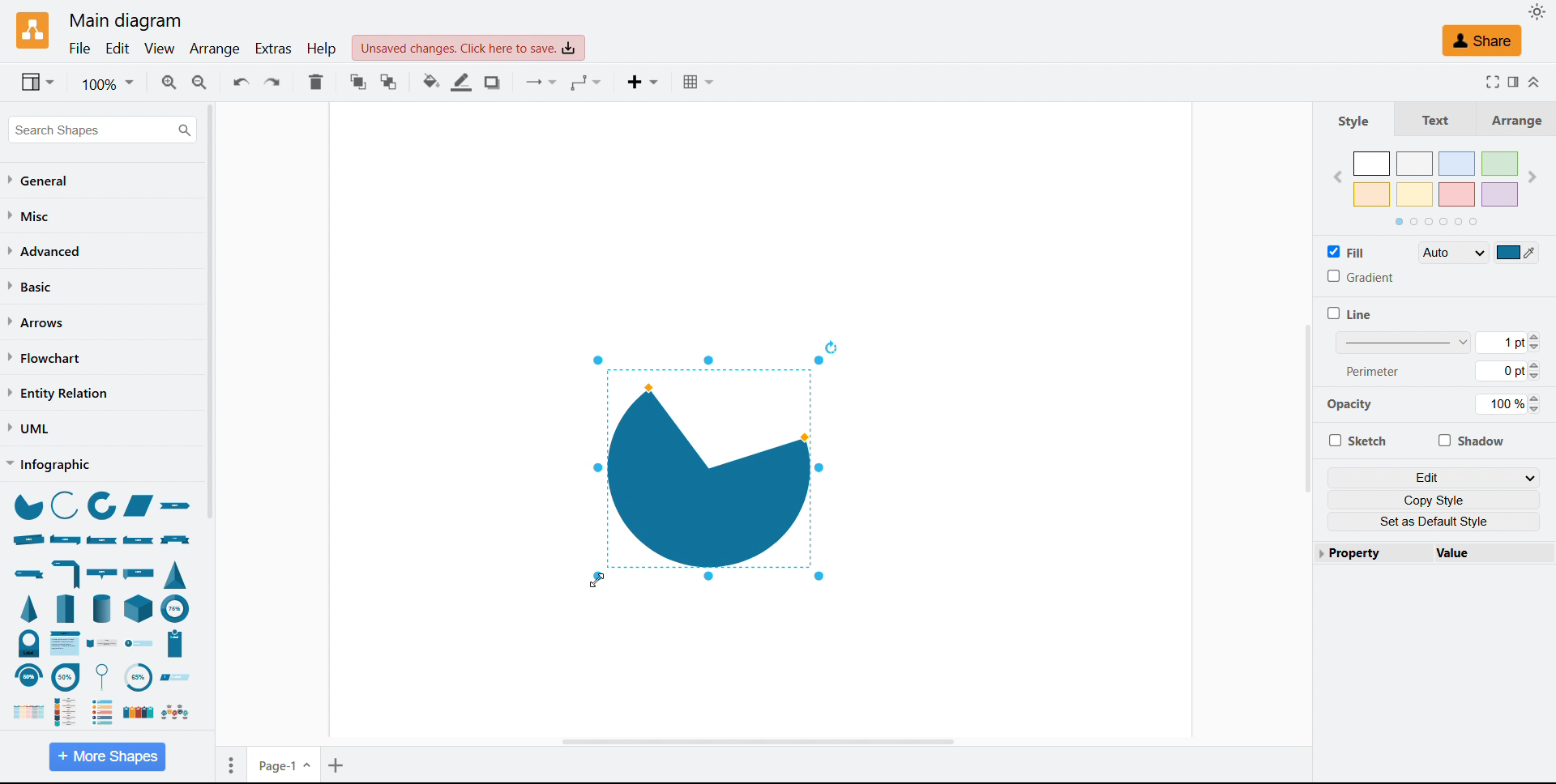  Describe the element at coordinates (139, 506) in the screenshot. I see `trapezoid` at that location.